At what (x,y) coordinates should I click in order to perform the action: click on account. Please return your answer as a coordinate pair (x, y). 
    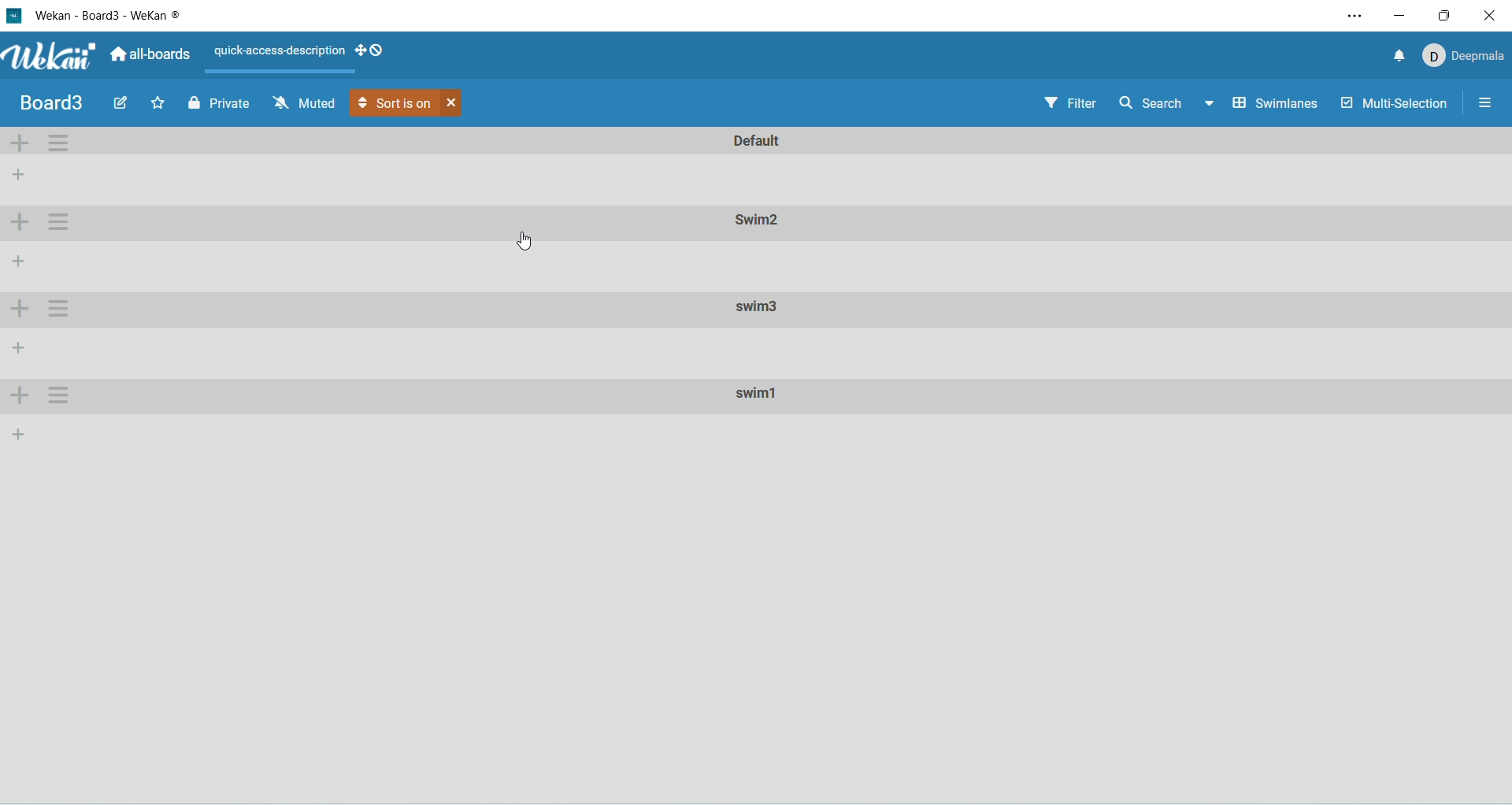
    Looking at the image, I should click on (1462, 54).